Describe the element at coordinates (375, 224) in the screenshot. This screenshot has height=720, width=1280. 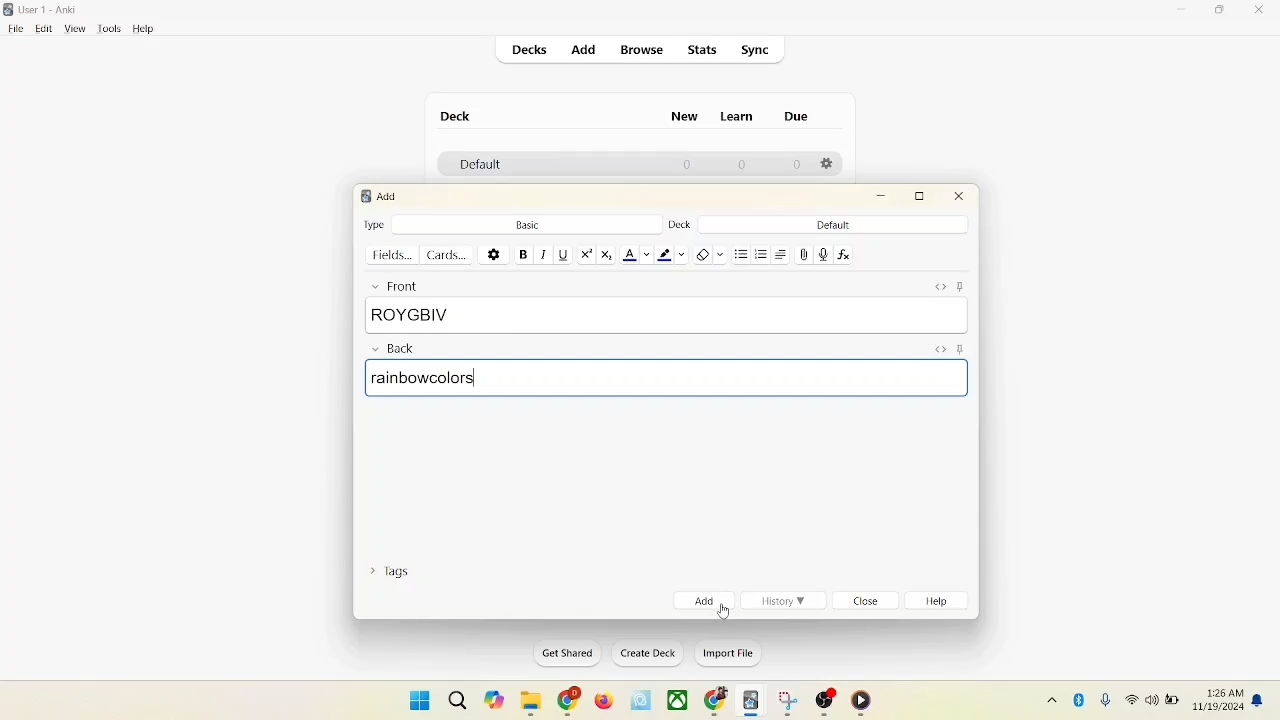
I see `type` at that location.